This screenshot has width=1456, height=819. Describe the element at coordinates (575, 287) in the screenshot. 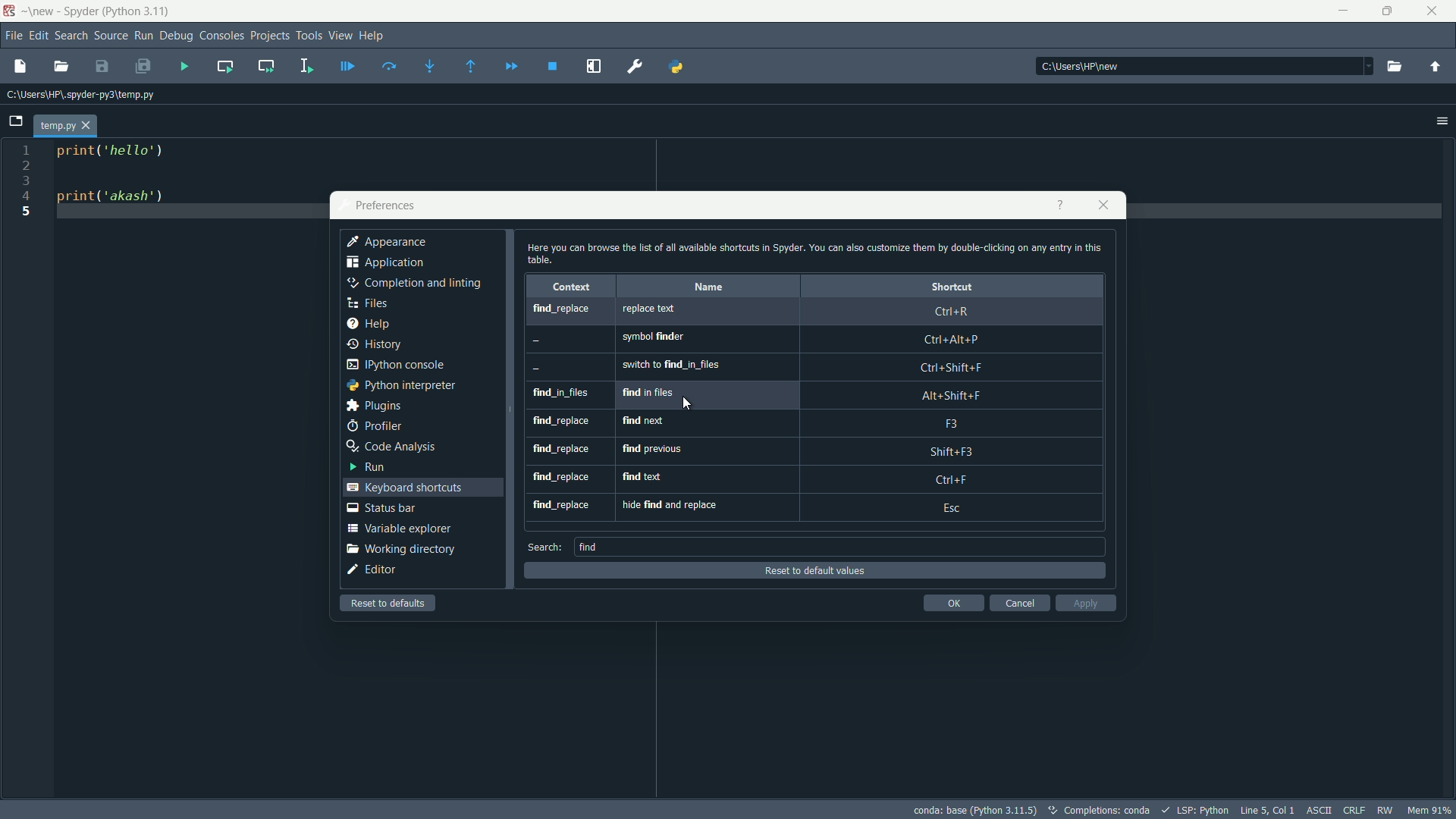

I see `context column` at that location.